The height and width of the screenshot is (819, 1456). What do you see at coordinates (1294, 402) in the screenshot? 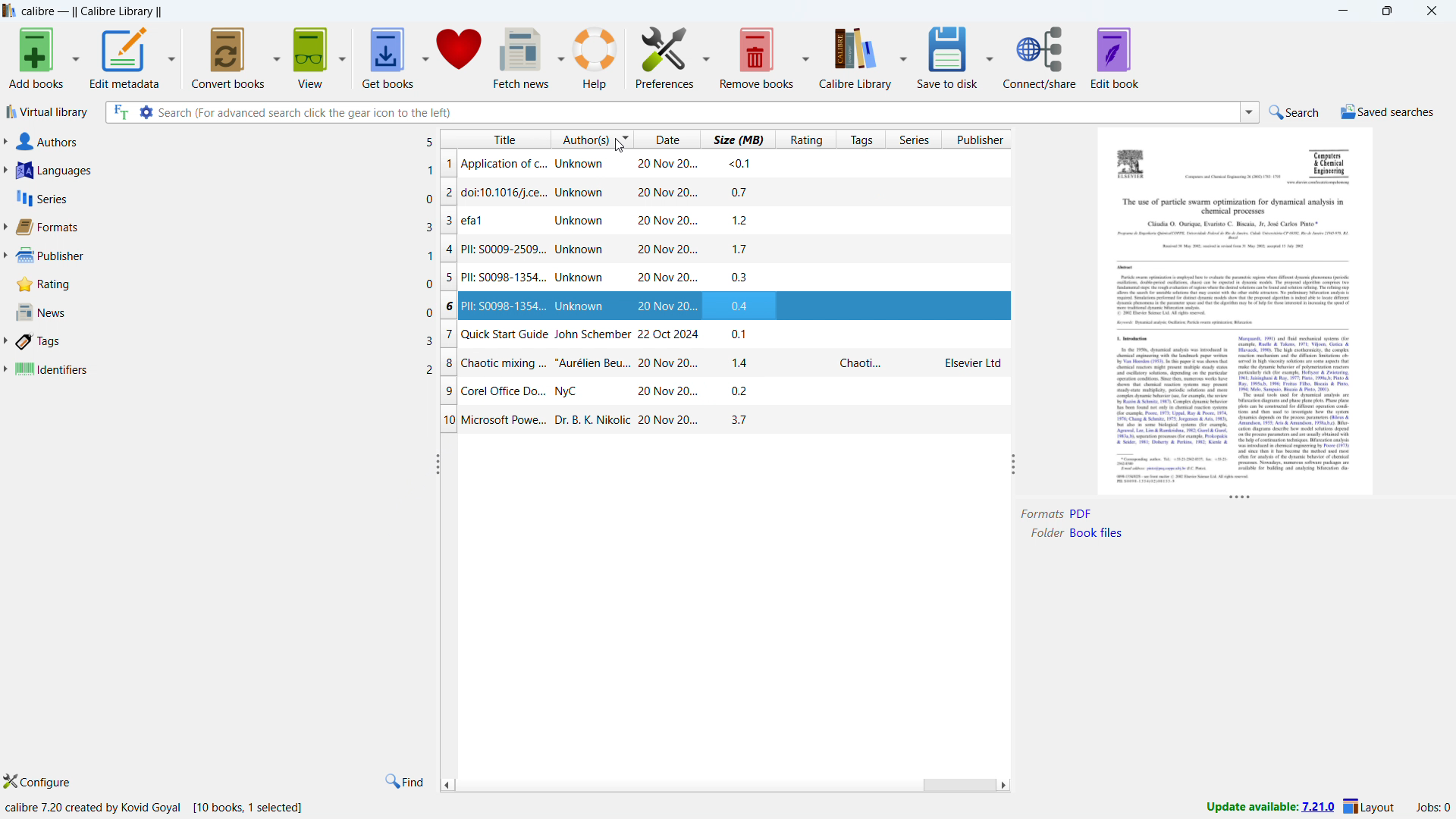
I see `` at bounding box center [1294, 402].